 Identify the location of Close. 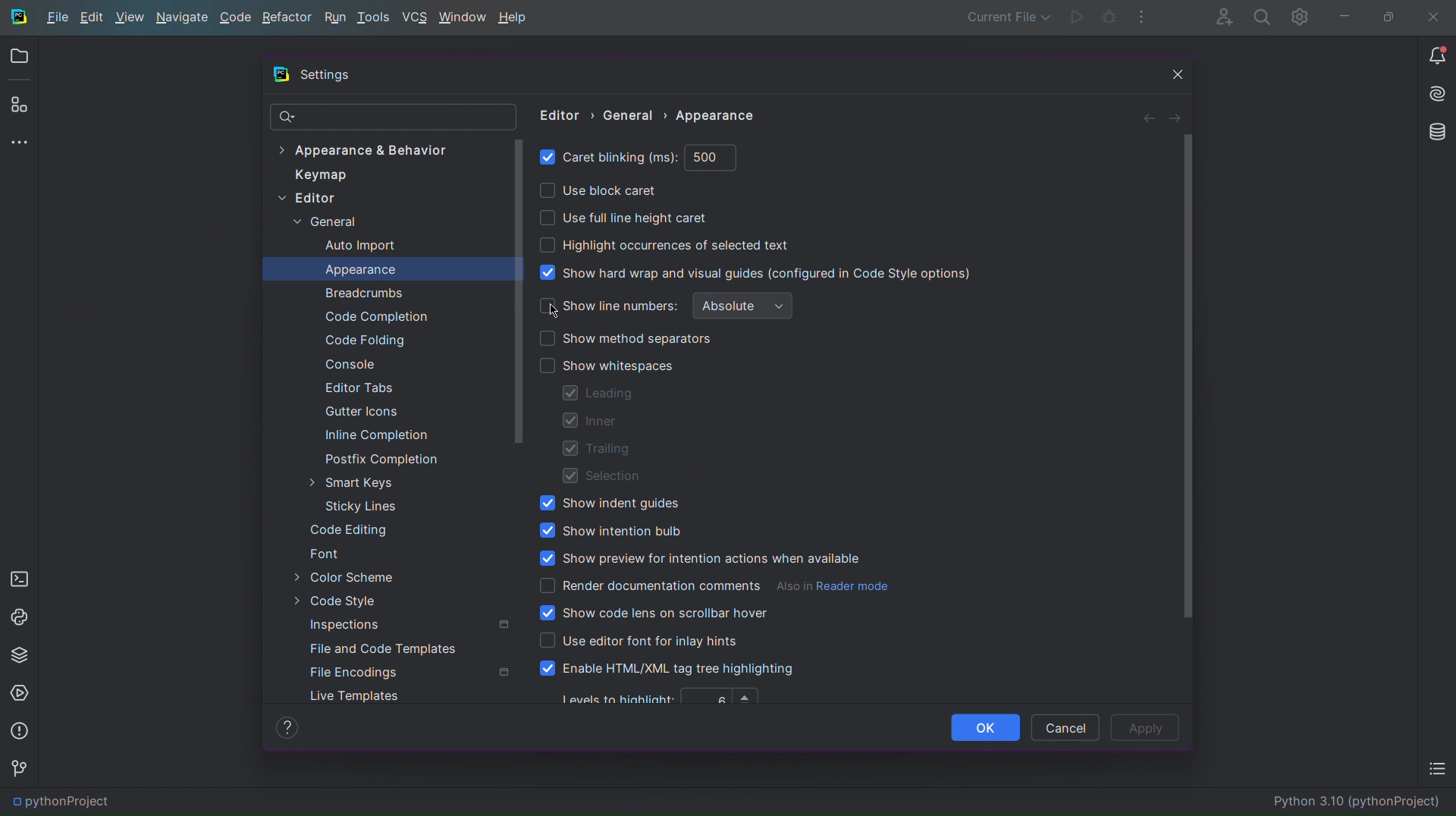
(1436, 15).